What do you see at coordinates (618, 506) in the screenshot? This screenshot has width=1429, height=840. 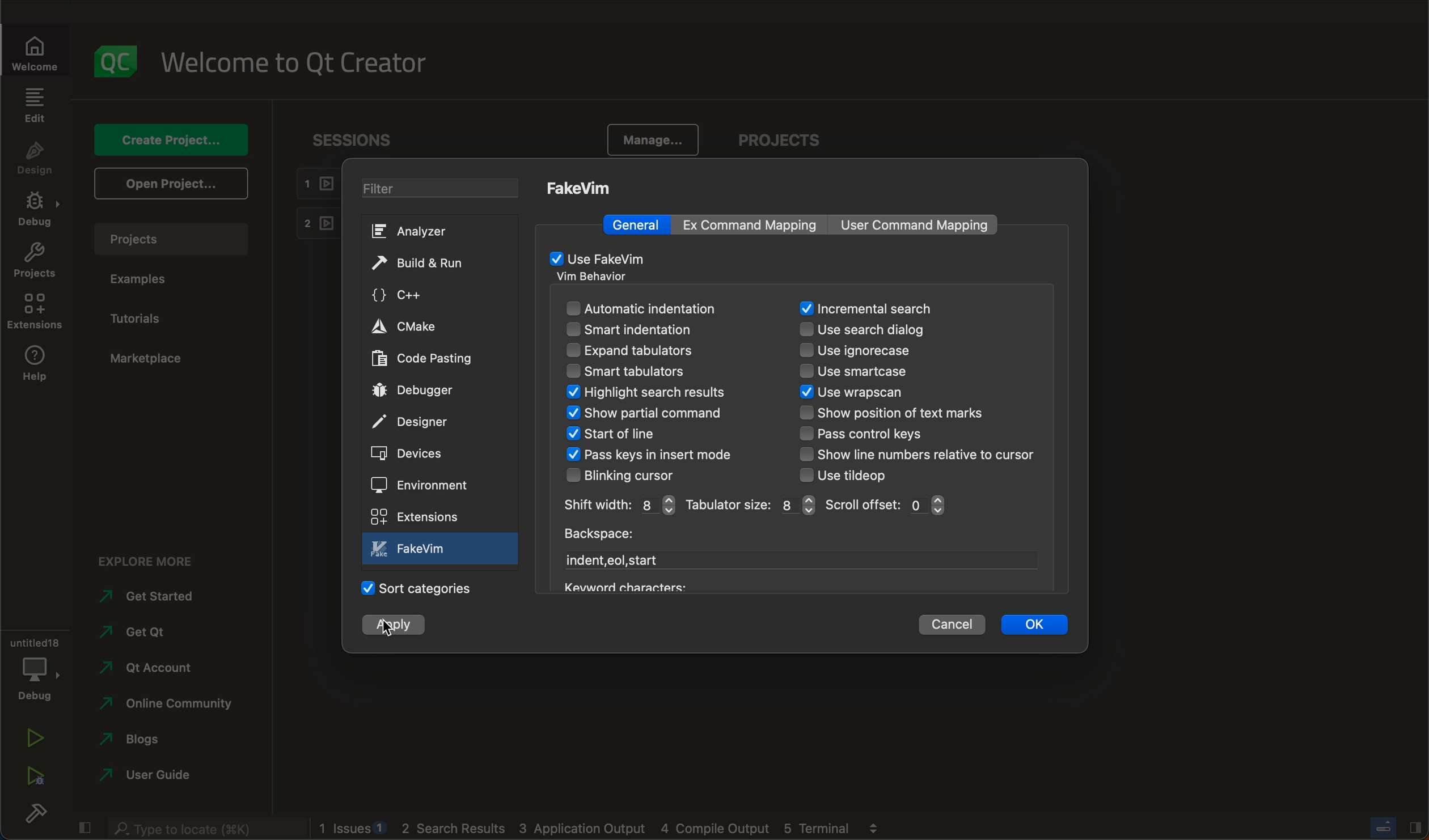 I see `width` at bounding box center [618, 506].